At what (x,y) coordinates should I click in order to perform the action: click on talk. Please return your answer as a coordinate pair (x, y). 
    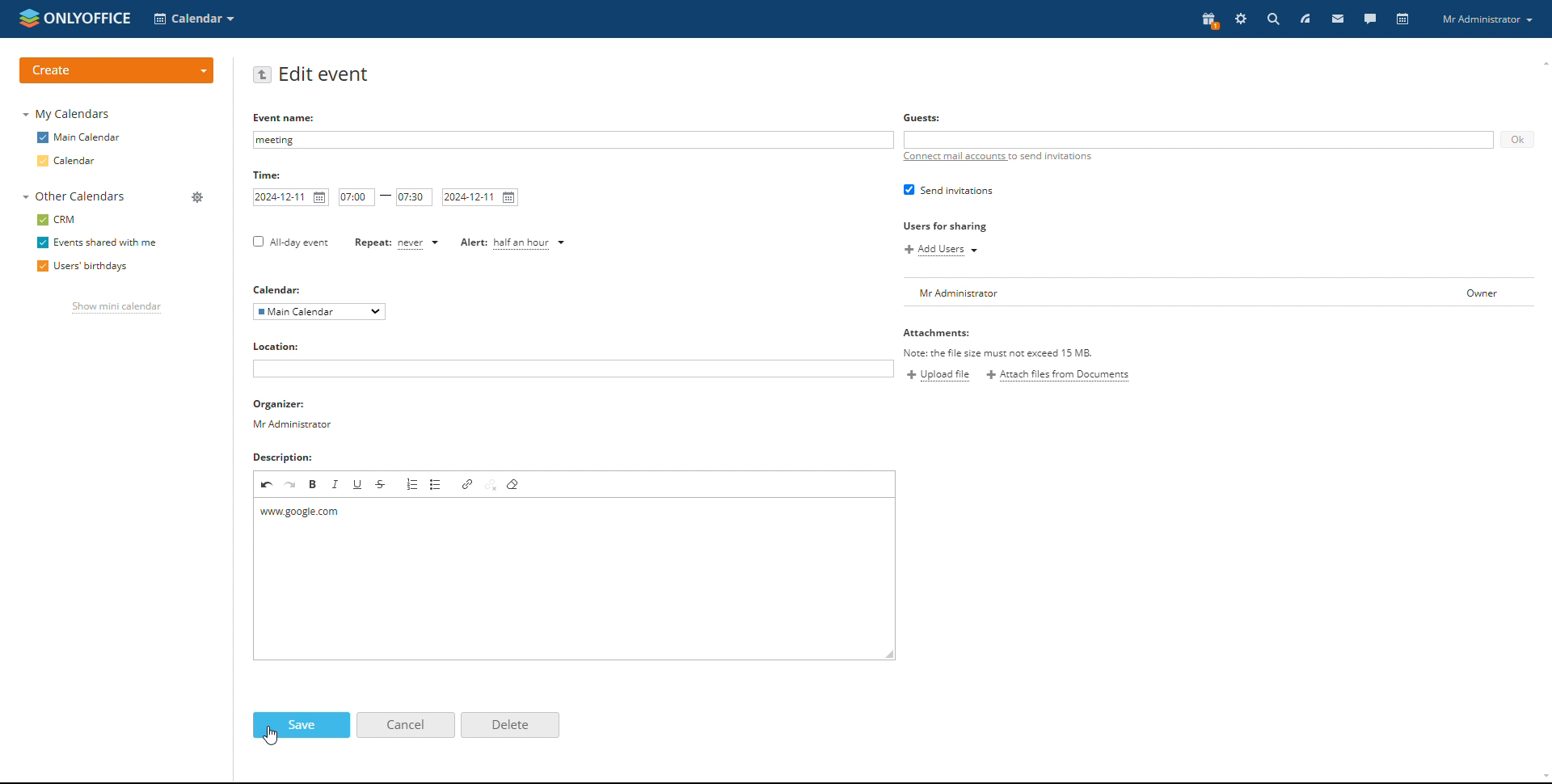
    Looking at the image, I should click on (1370, 18).